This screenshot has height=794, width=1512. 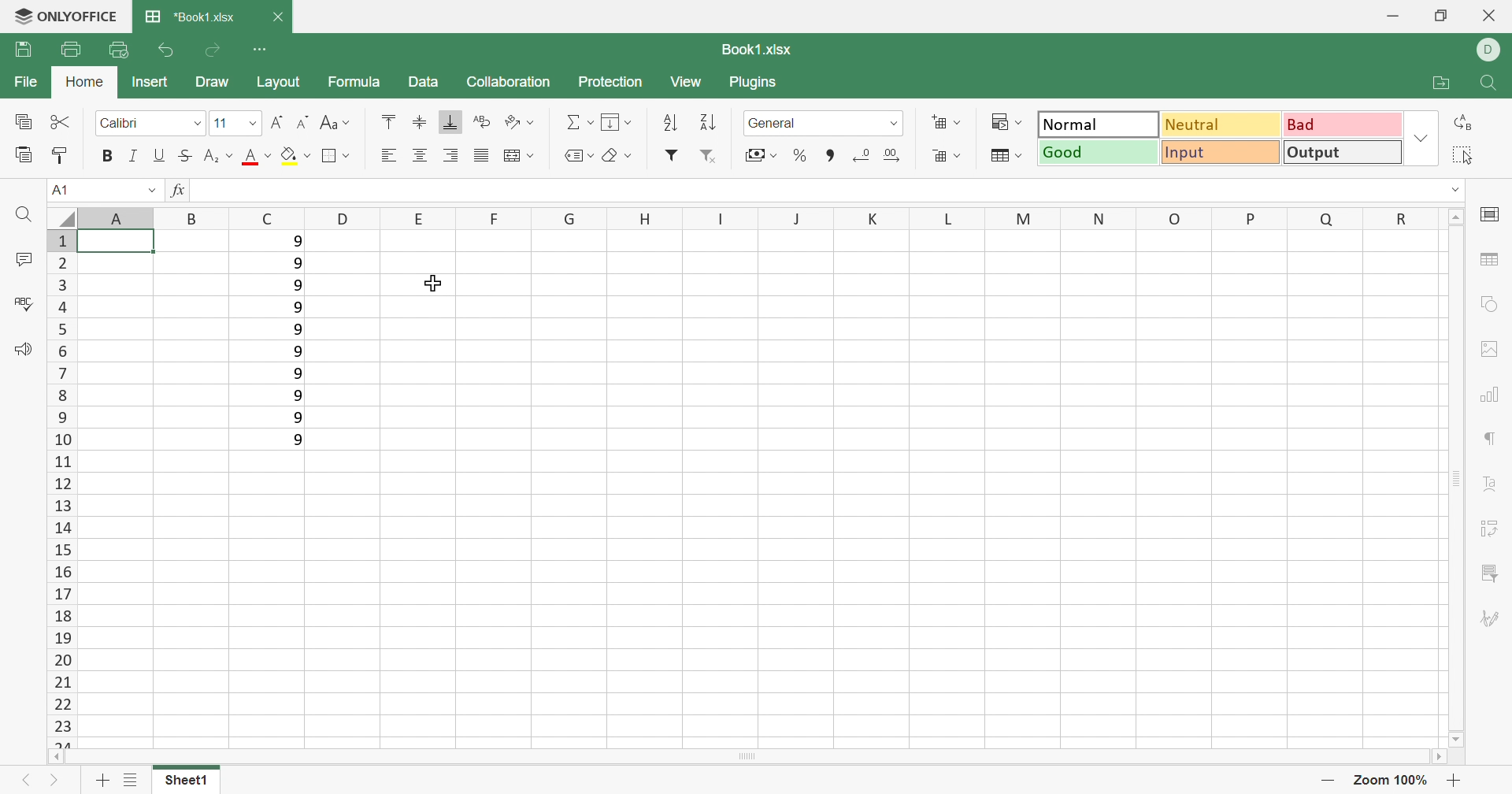 I want to click on 9, so click(x=297, y=262).